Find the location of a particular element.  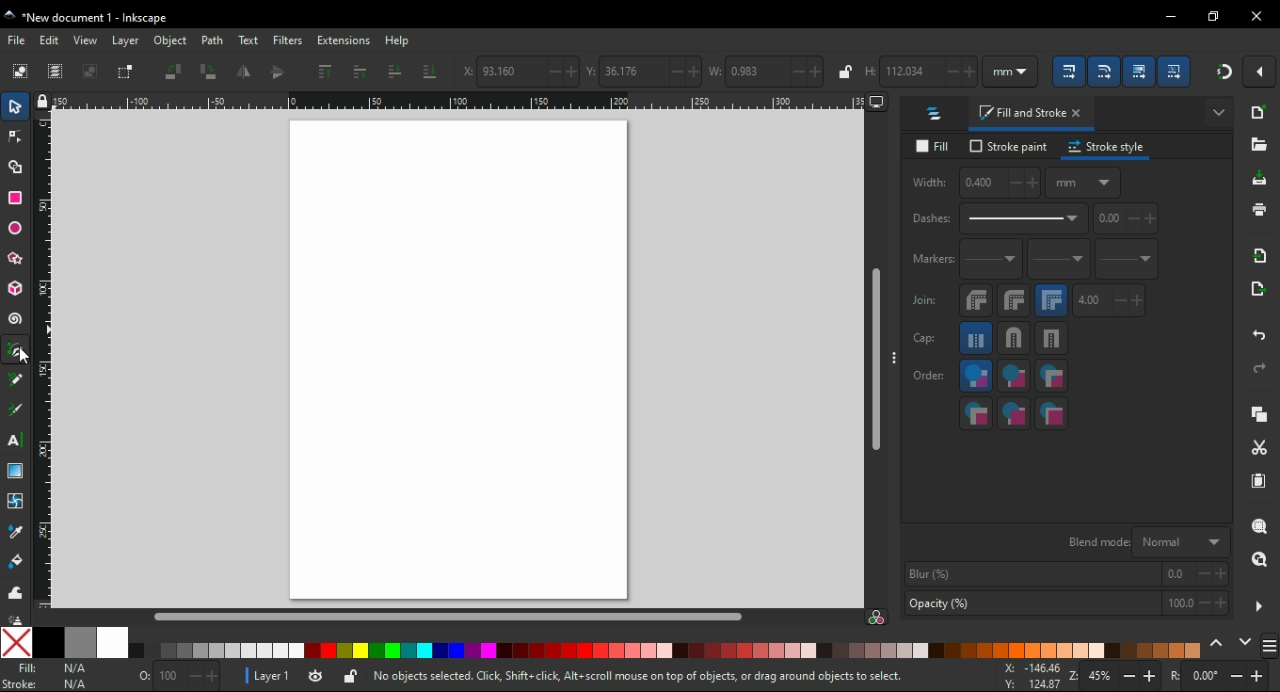

 is located at coordinates (1108, 299).